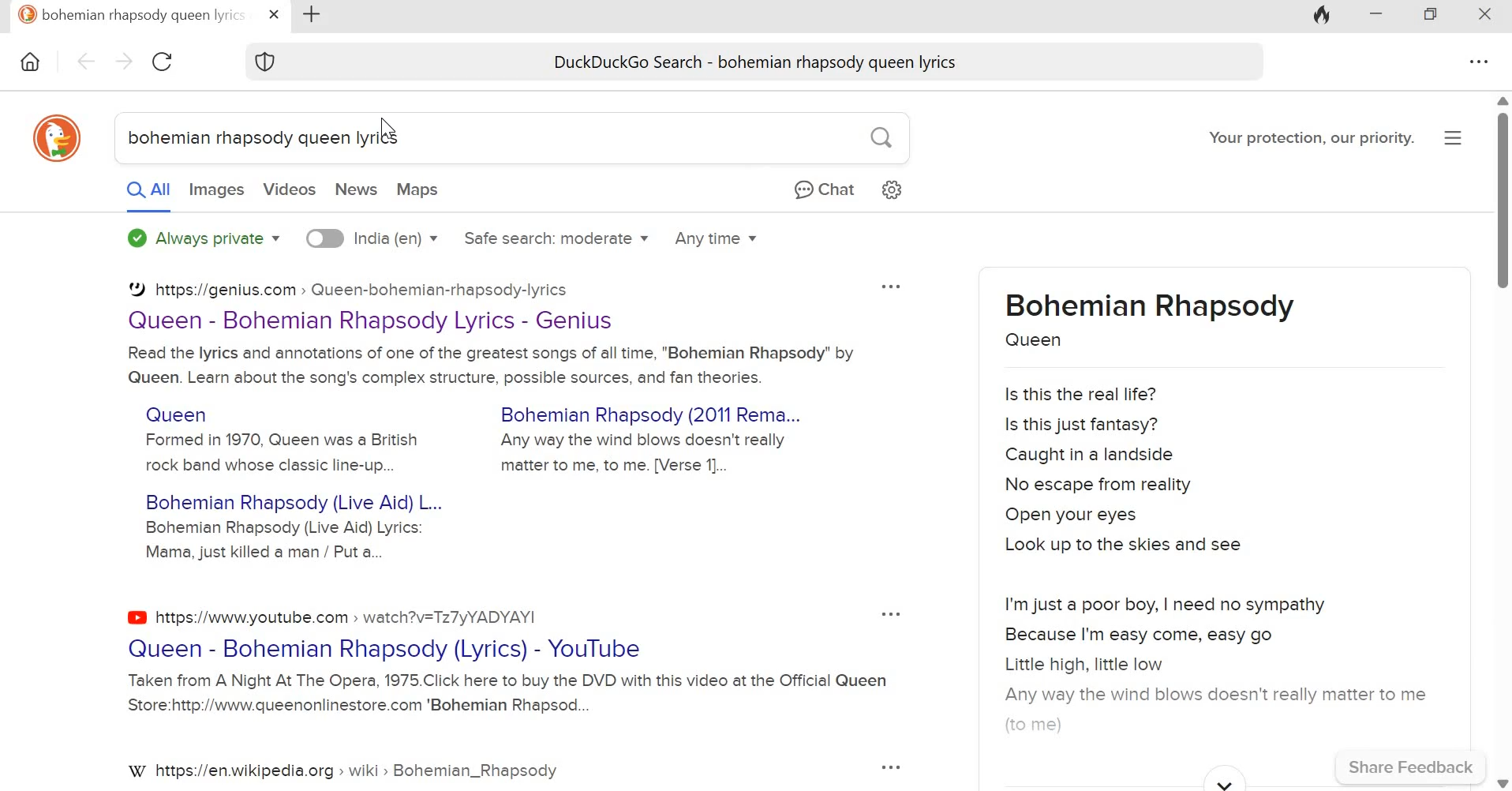 The height and width of the screenshot is (791, 1512). I want to click on Taken from A Night At The Opera, 1975.Click here to buy the DVD with this video at the Official Queen
Store:http://www.queenonlinestore.com 'Bohemian Rhapsod..., so click(509, 694).